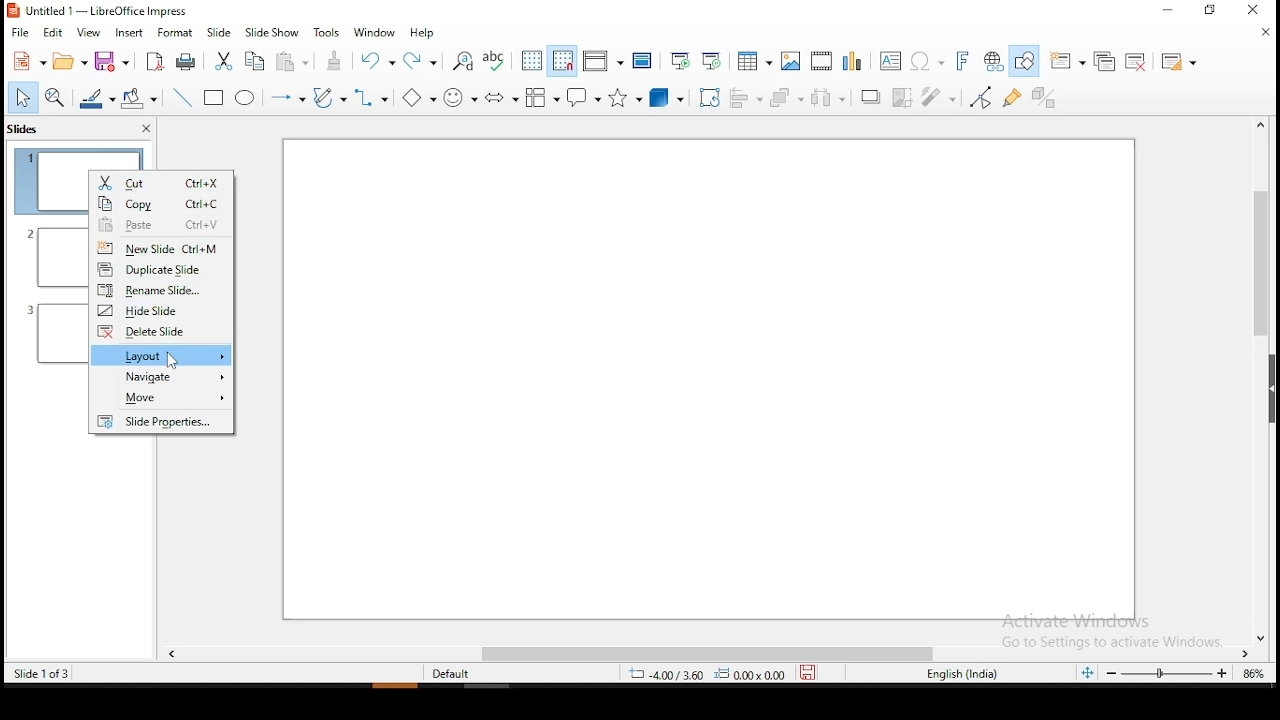 The height and width of the screenshot is (720, 1280). What do you see at coordinates (96, 99) in the screenshot?
I see `line color` at bounding box center [96, 99].